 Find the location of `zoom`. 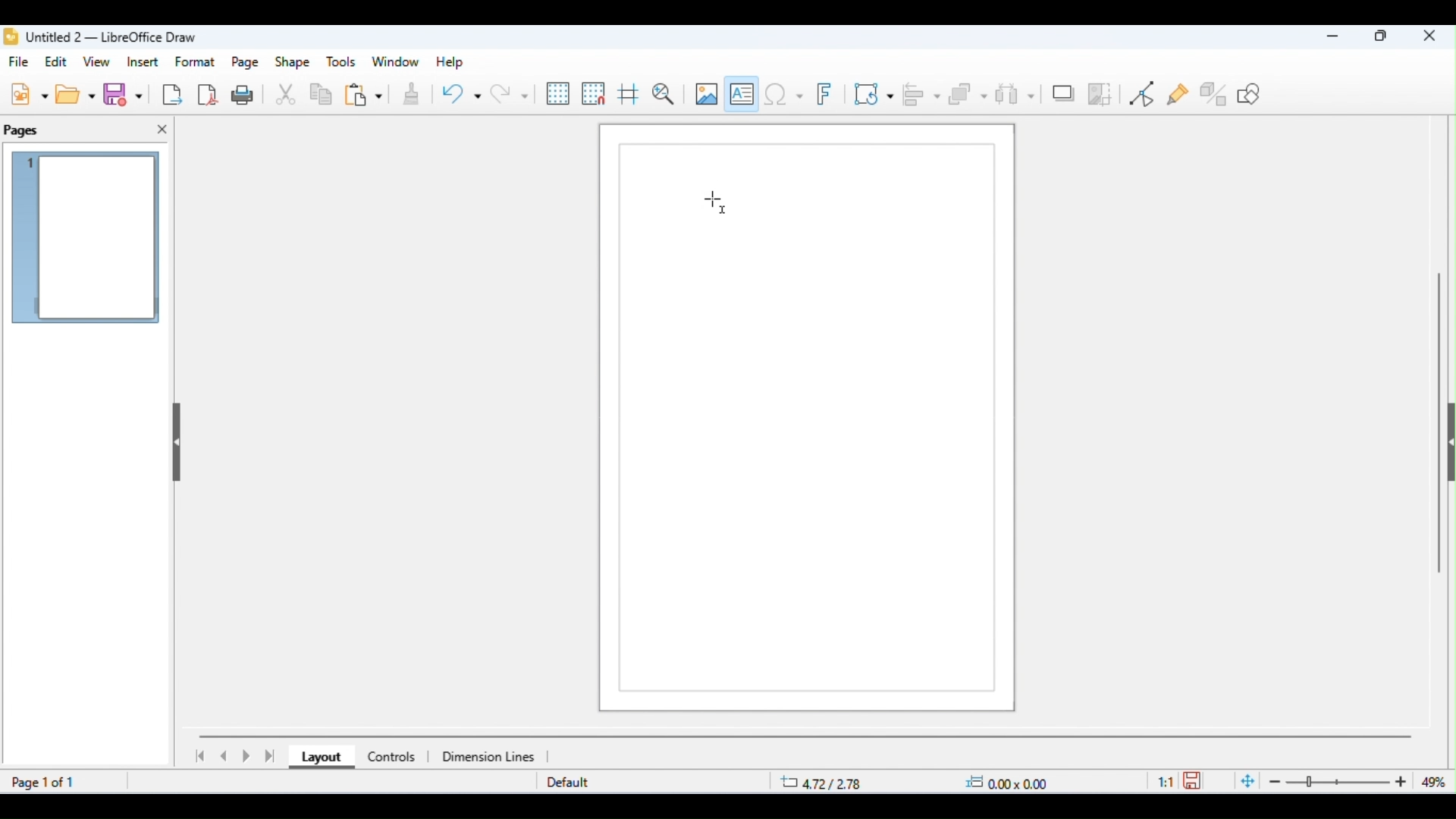

zoom is located at coordinates (1342, 782).